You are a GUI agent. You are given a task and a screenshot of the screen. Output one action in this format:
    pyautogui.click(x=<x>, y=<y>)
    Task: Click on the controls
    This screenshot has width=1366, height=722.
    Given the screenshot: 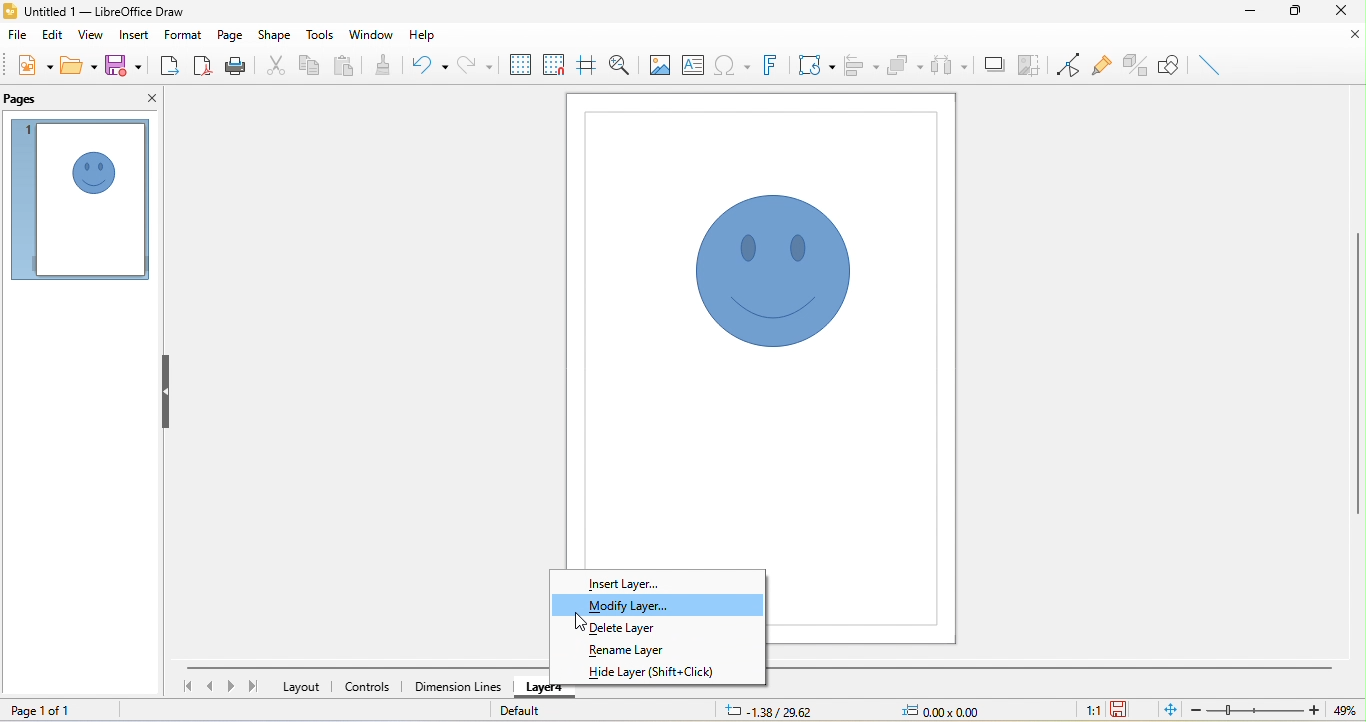 What is the action you would take?
    pyautogui.click(x=369, y=687)
    